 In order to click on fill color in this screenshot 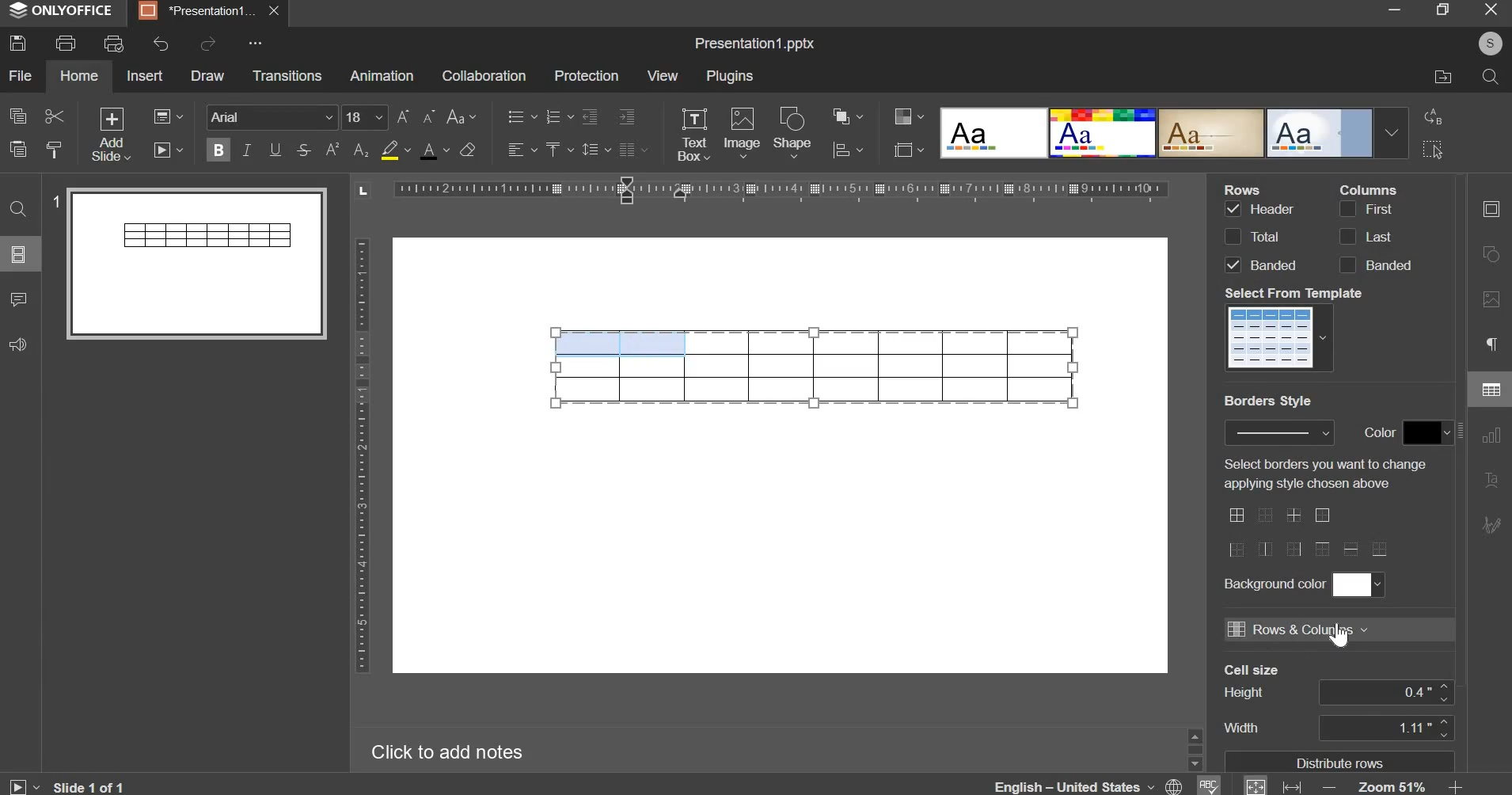, I will do `click(394, 150)`.